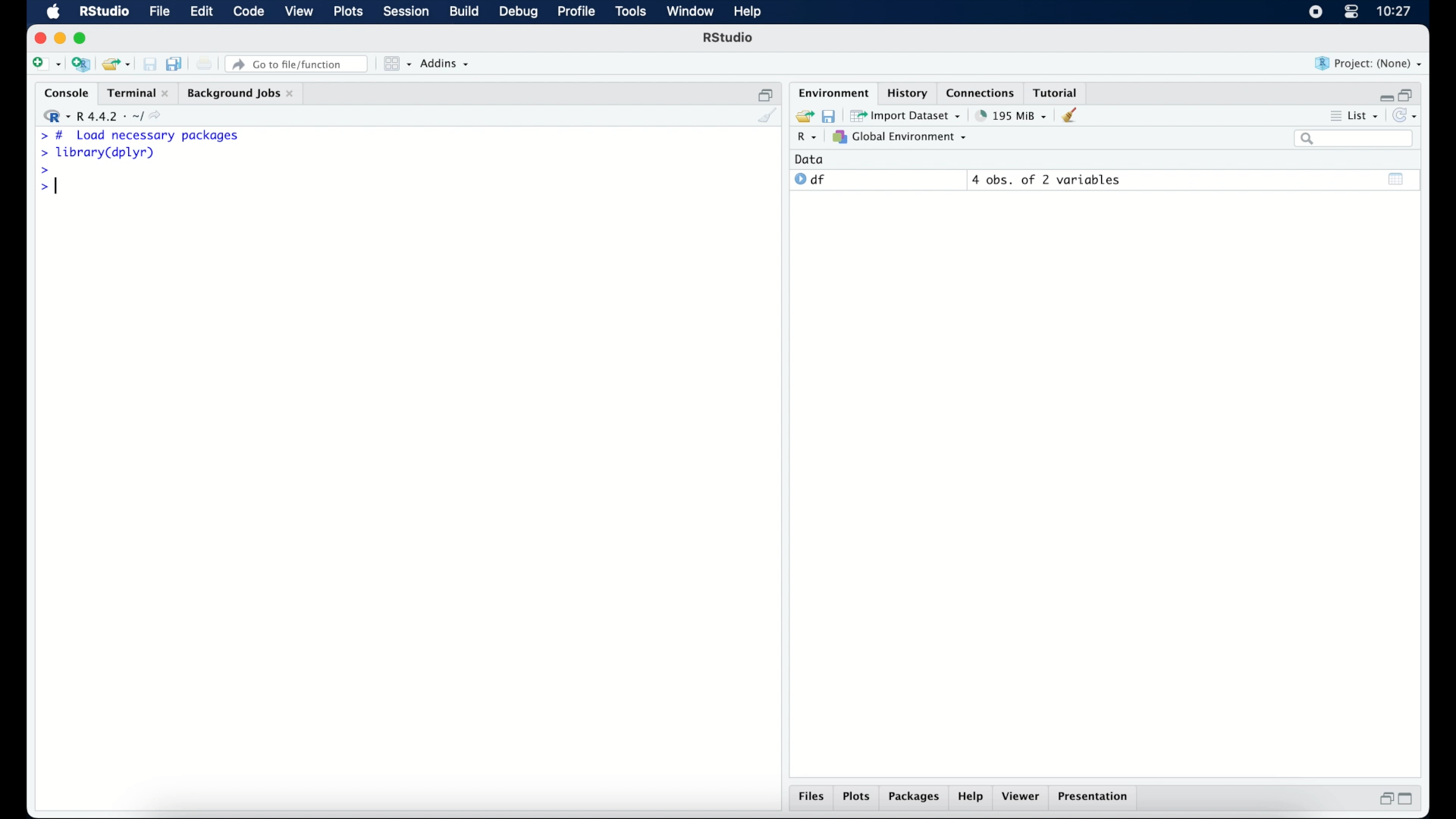 The width and height of the screenshot is (1456, 819). Describe the element at coordinates (1095, 798) in the screenshot. I see `presentation` at that location.